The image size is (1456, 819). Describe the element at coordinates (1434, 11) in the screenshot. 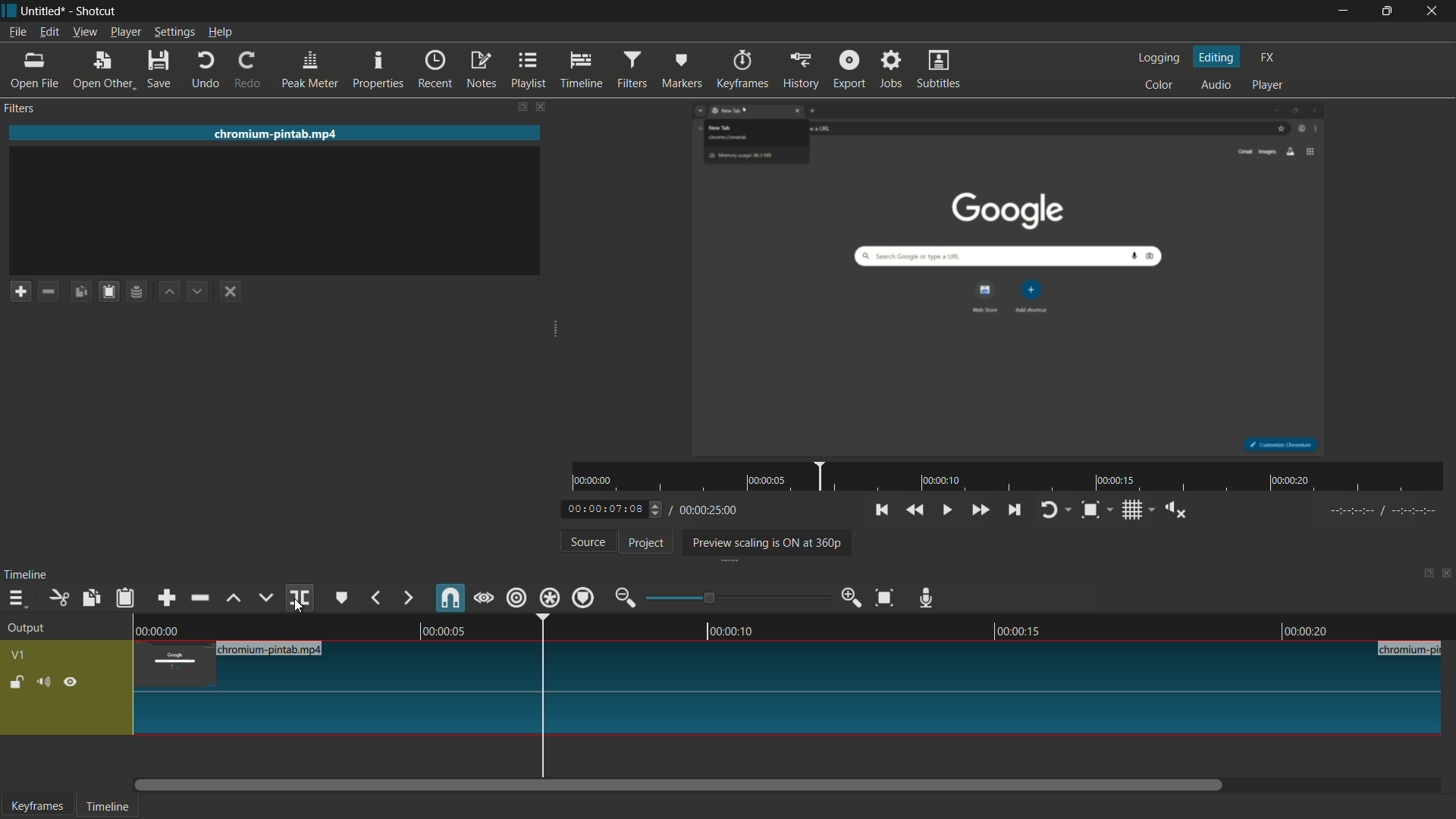

I see `close app` at that location.